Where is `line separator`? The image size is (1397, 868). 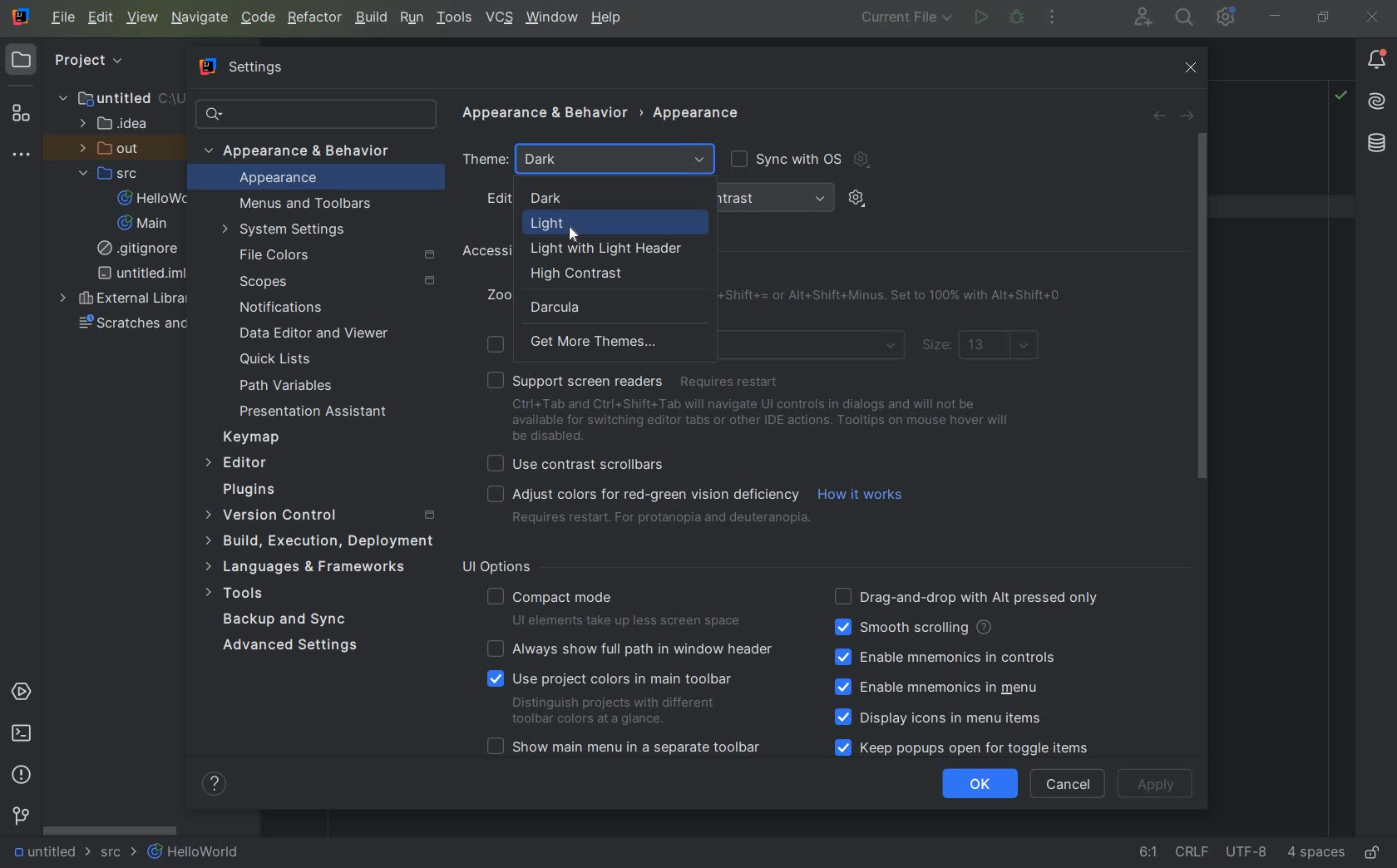 line separator is located at coordinates (1195, 854).